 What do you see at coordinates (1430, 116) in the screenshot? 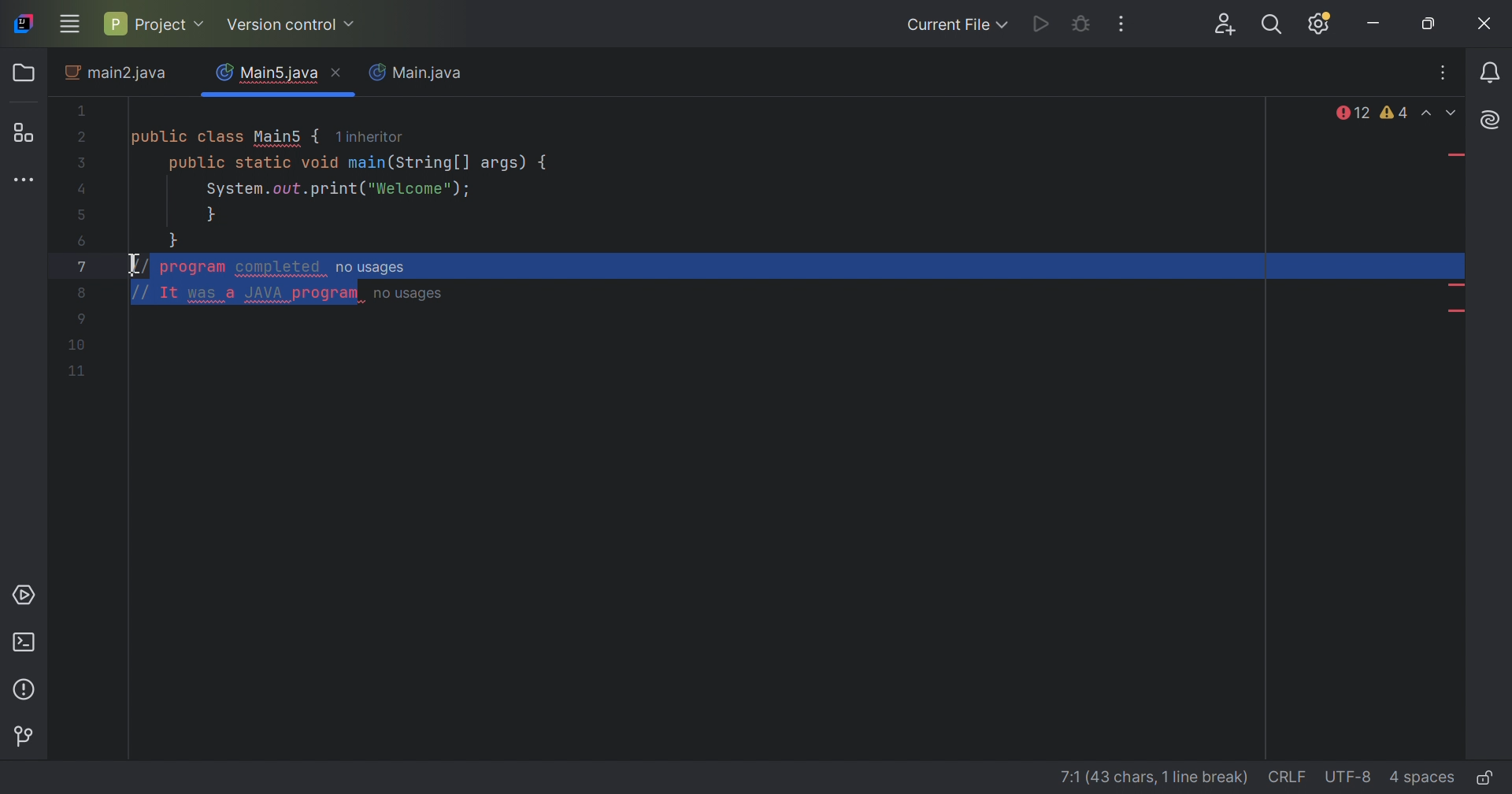
I see `Up Arrow` at bounding box center [1430, 116].